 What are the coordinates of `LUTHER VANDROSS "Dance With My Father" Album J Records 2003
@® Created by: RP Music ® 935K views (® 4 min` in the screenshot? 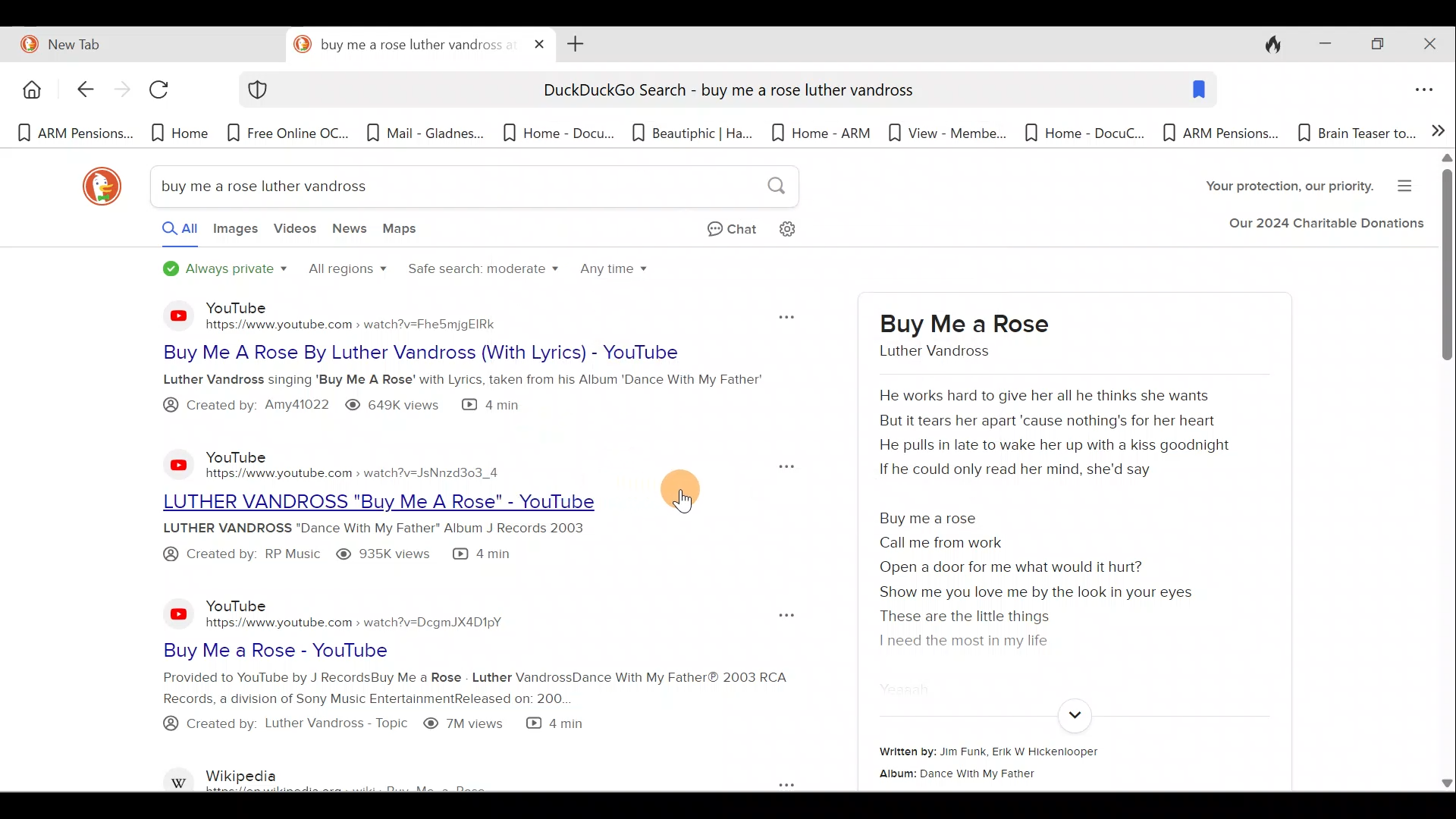 It's located at (401, 542).